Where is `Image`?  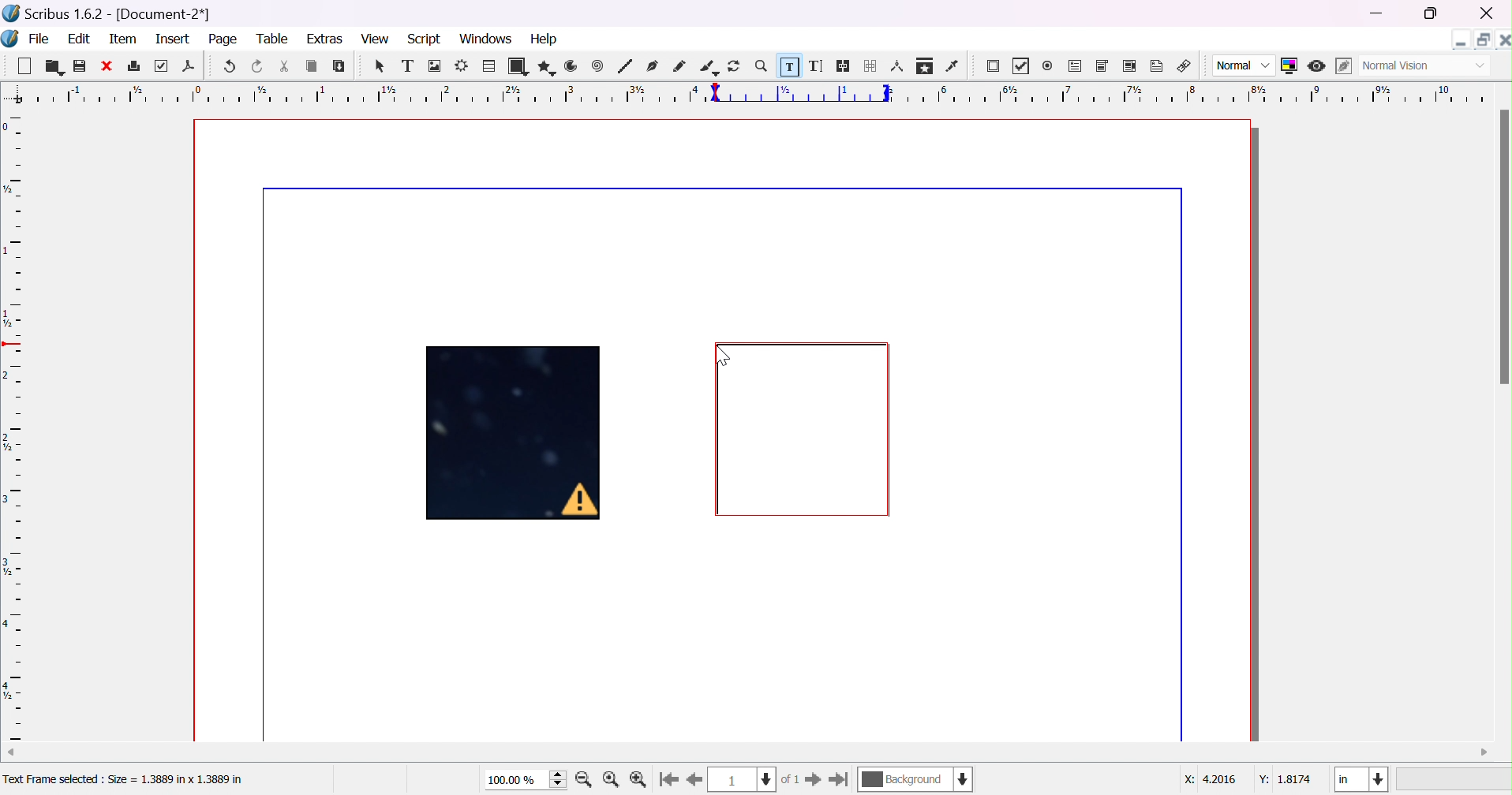 Image is located at coordinates (516, 435).